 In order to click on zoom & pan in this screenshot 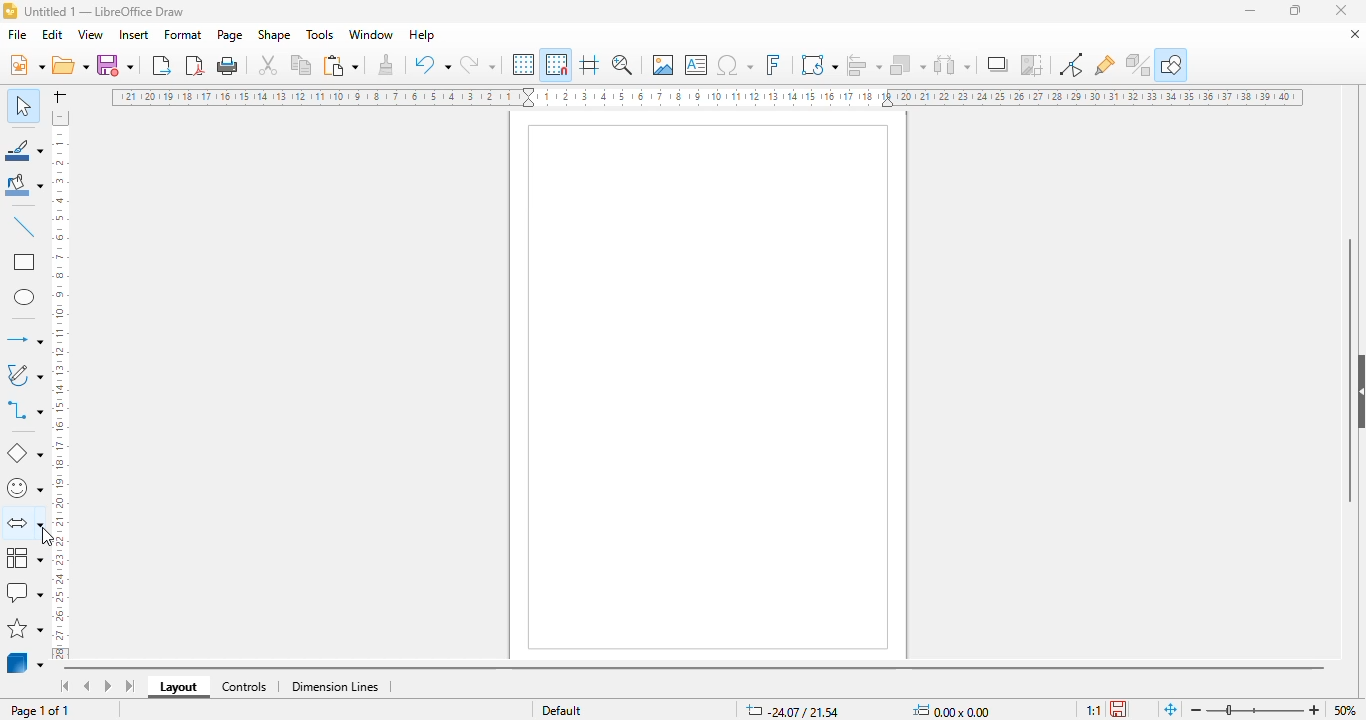, I will do `click(622, 64)`.